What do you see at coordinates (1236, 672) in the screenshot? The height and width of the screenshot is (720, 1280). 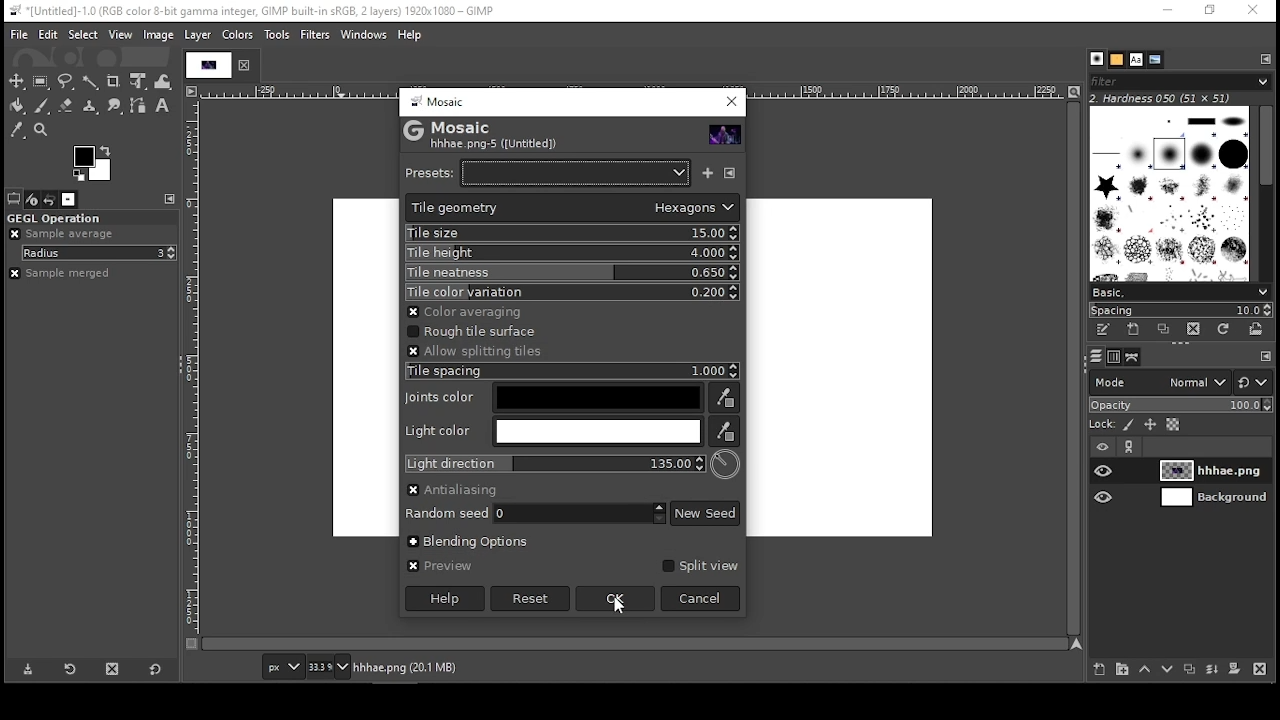 I see `add a mask` at bounding box center [1236, 672].